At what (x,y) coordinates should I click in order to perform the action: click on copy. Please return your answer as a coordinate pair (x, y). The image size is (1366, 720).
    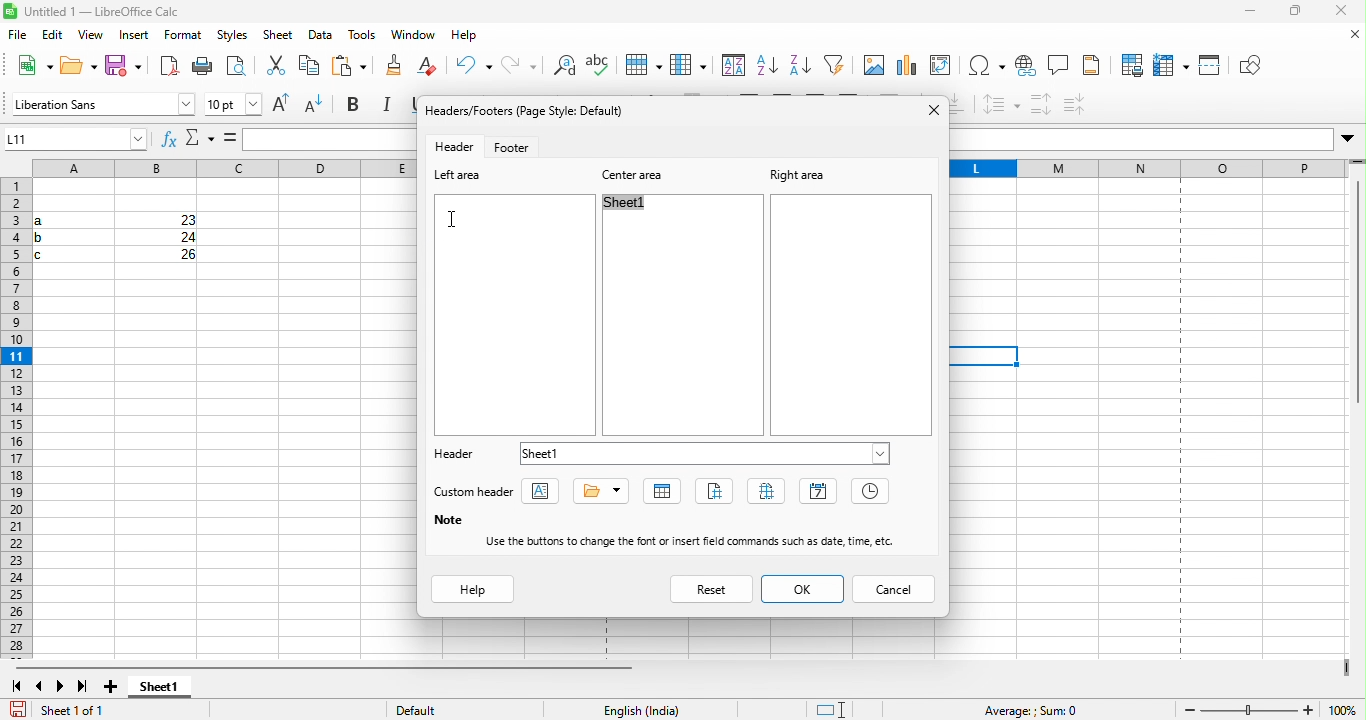
    Looking at the image, I should click on (276, 67).